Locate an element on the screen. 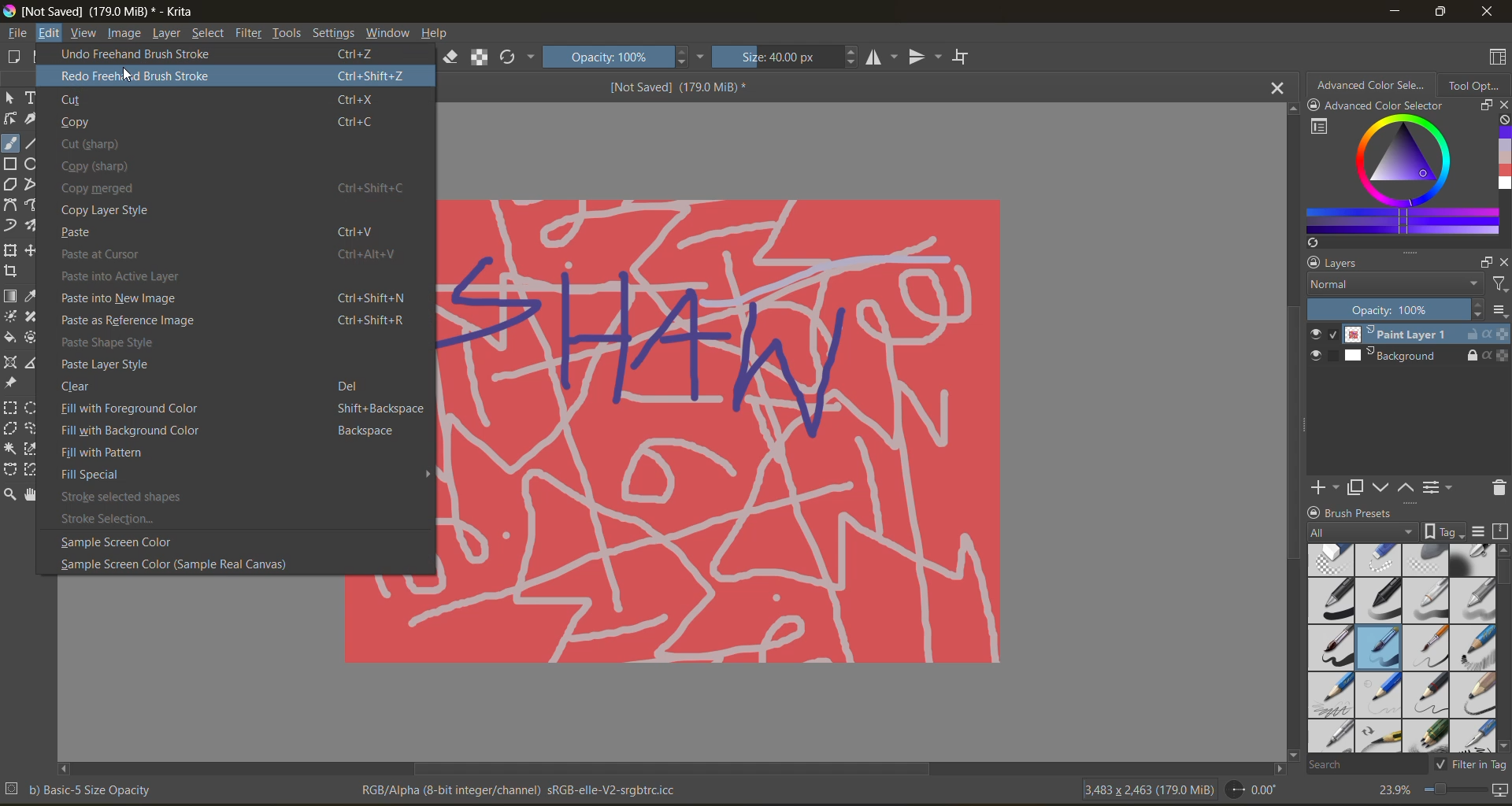 This screenshot has width=1512, height=806. wrap around mode is located at coordinates (963, 57).